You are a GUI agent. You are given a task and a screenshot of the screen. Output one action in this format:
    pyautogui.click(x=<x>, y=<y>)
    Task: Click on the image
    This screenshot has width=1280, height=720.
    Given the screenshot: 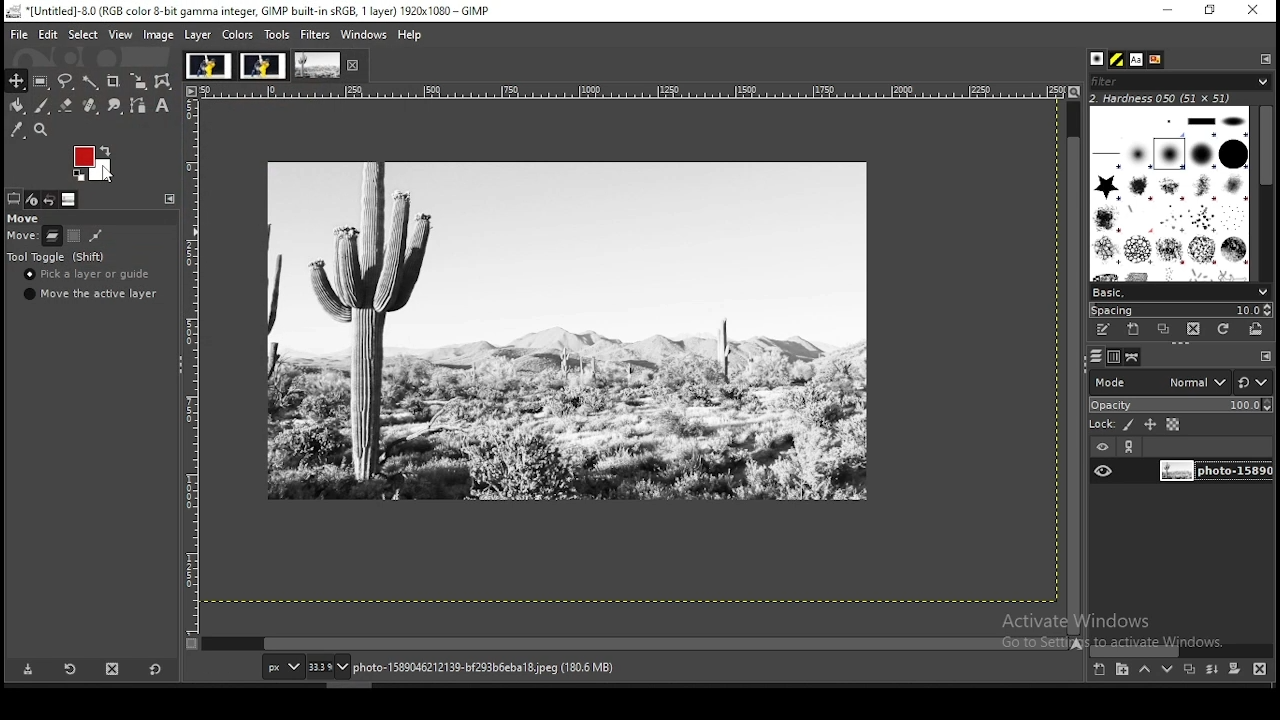 What is the action you would take?
    pyautogui.click(x=568, y=330)
    